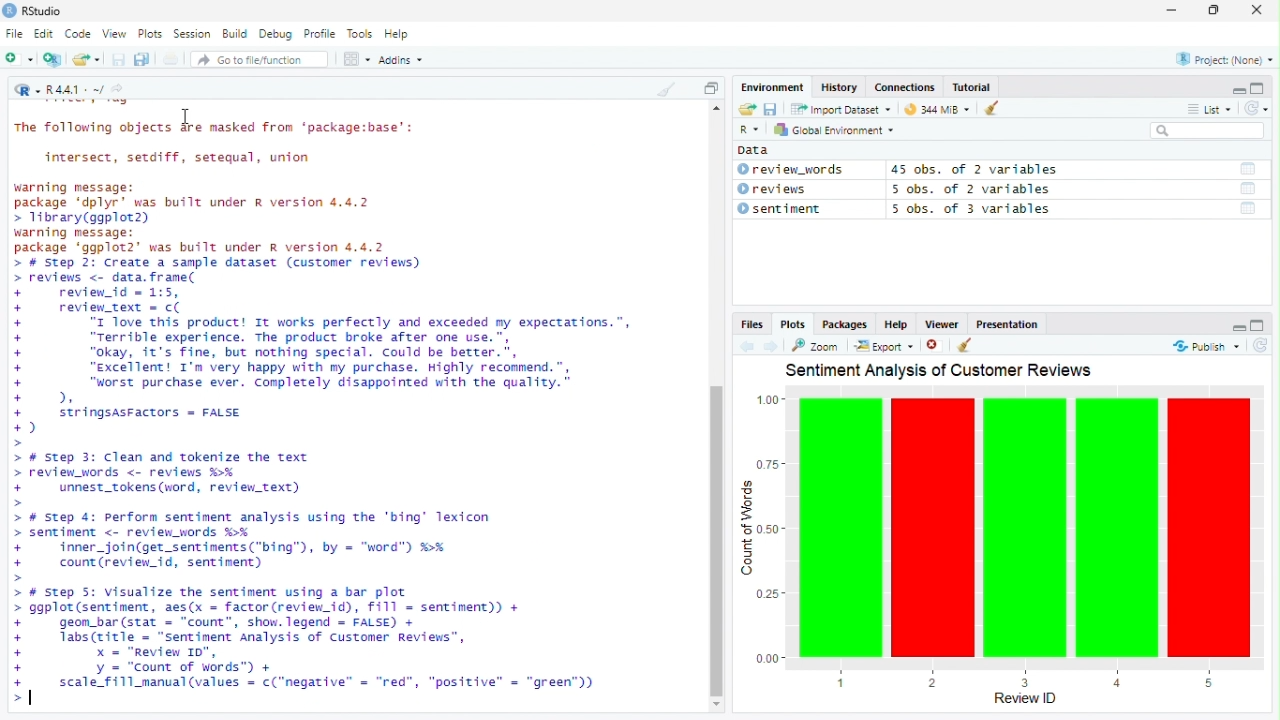 The height and width of the screenshot is (720, 1280). Describe the element at coordinates (978, 190) in the screenshot. I see `5 obs. of 2 variables` at that location.